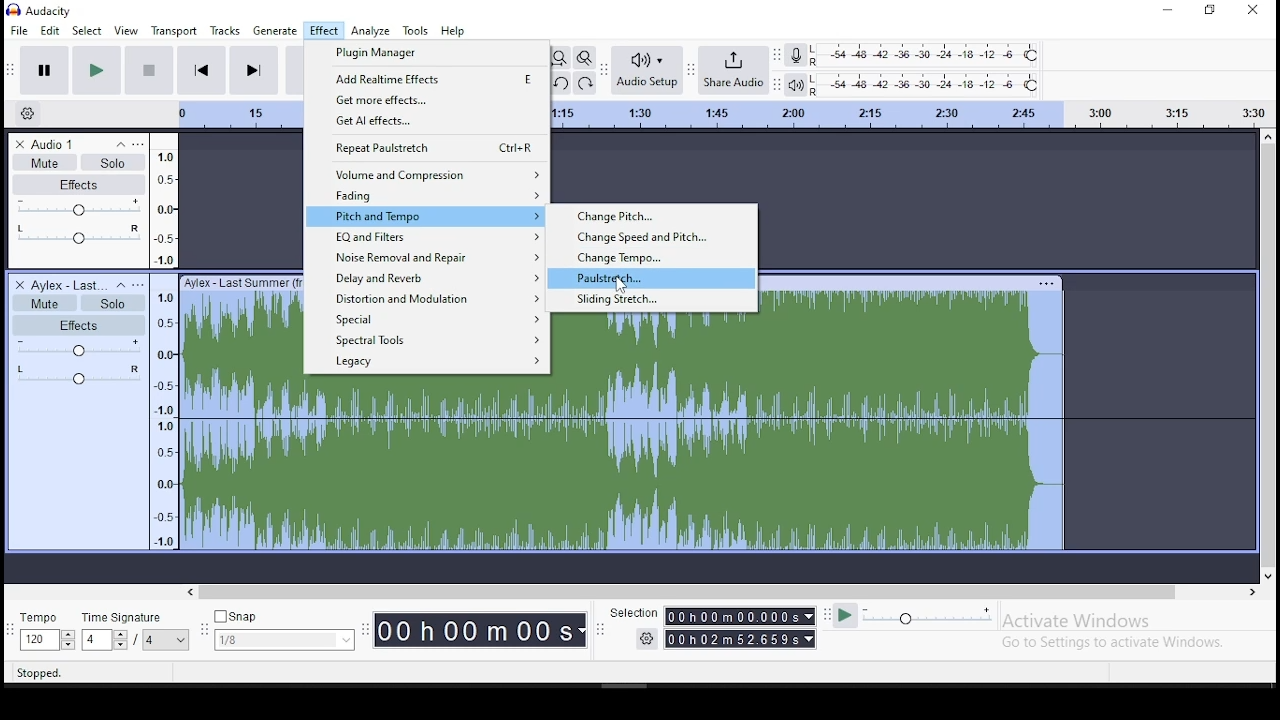 The height and width of the screenshot is (720, 1280). What do you see at coordinates (651, 216) in the screenshot?
I see `change pitch` at bounding box center [651, 216].